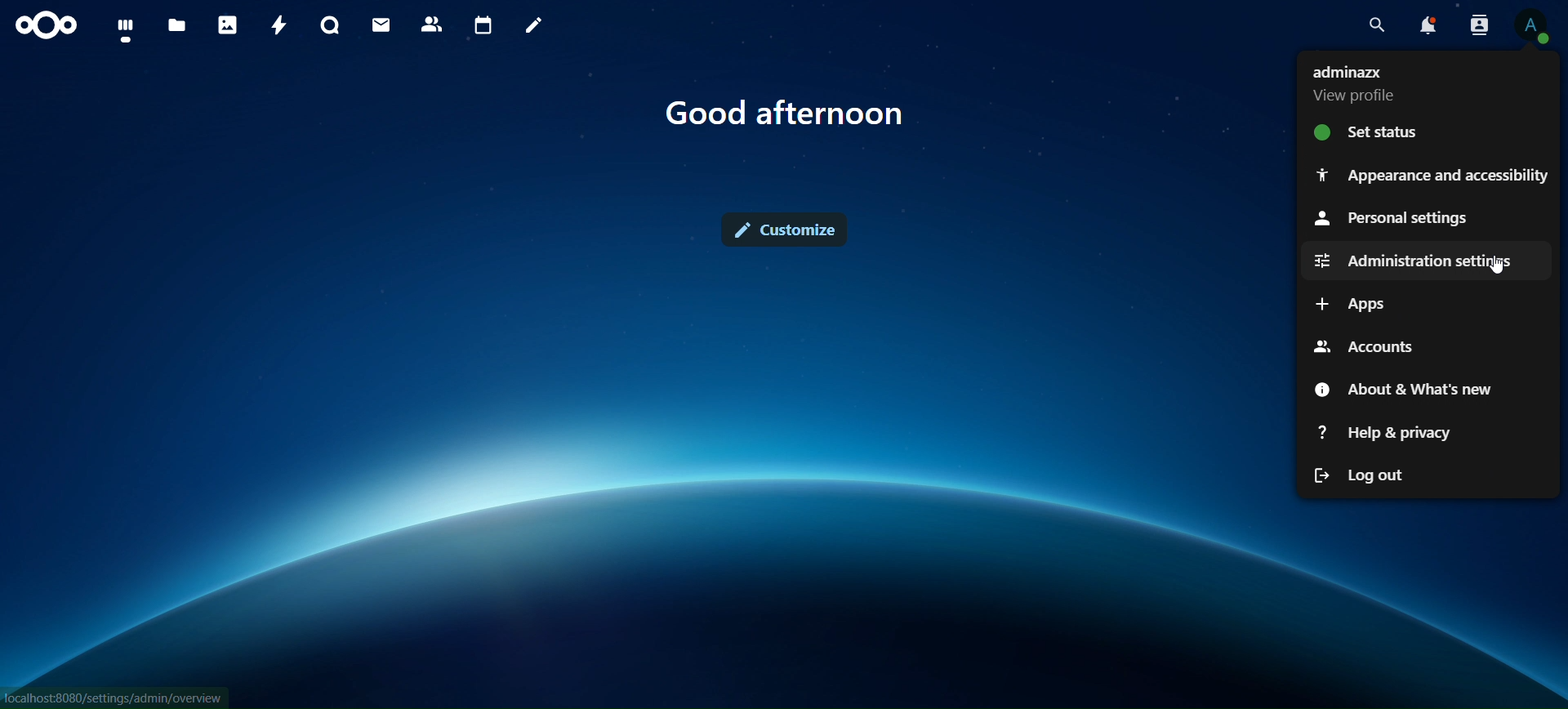 Image resolution: width=1568 pixels, height=709 pixels. I want to click on notoifications, so click(1429, 26).